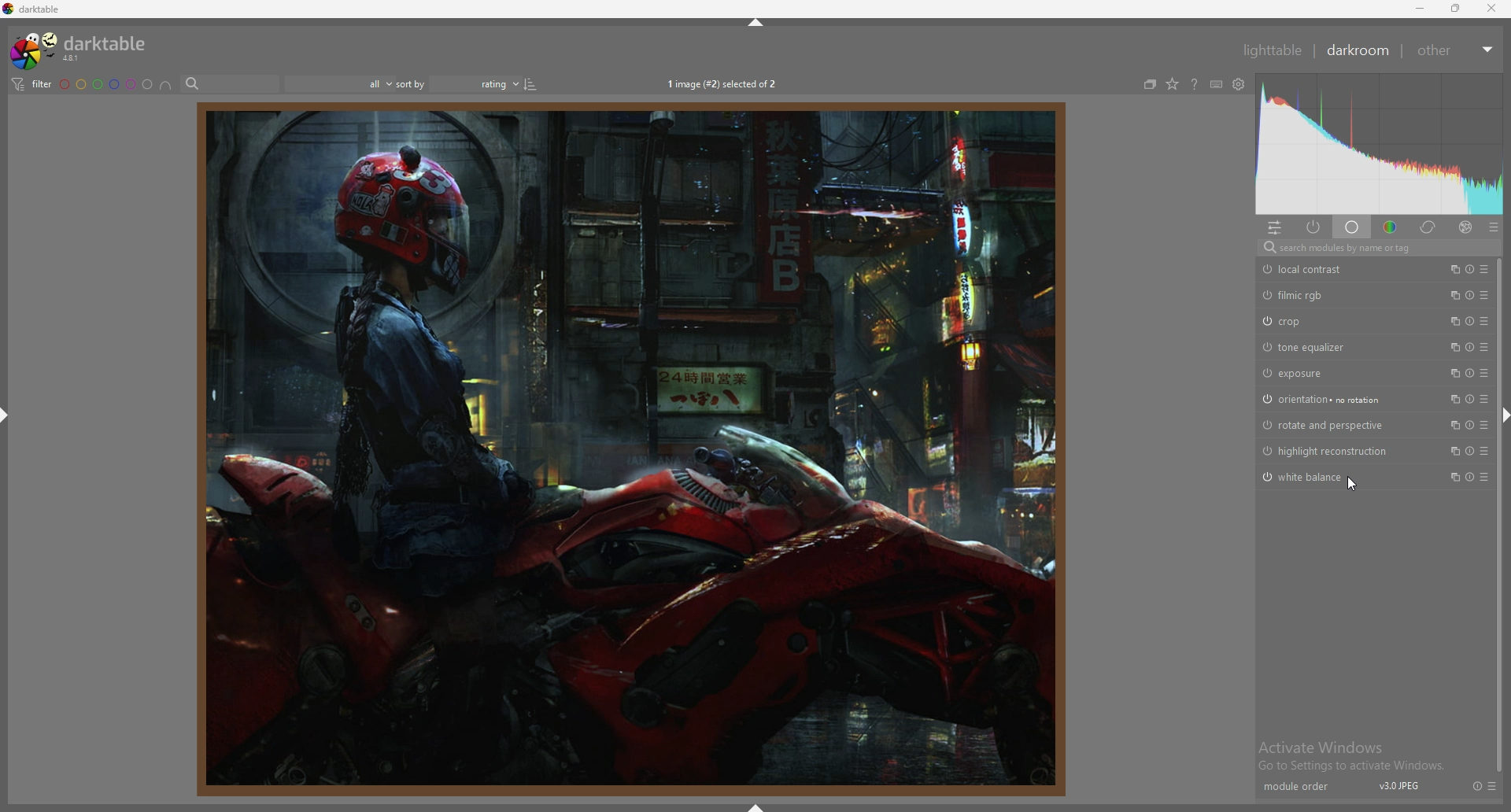 The height and width of the screenshot is (812, 1511). I want to click on minimize, so click(1418, 9).